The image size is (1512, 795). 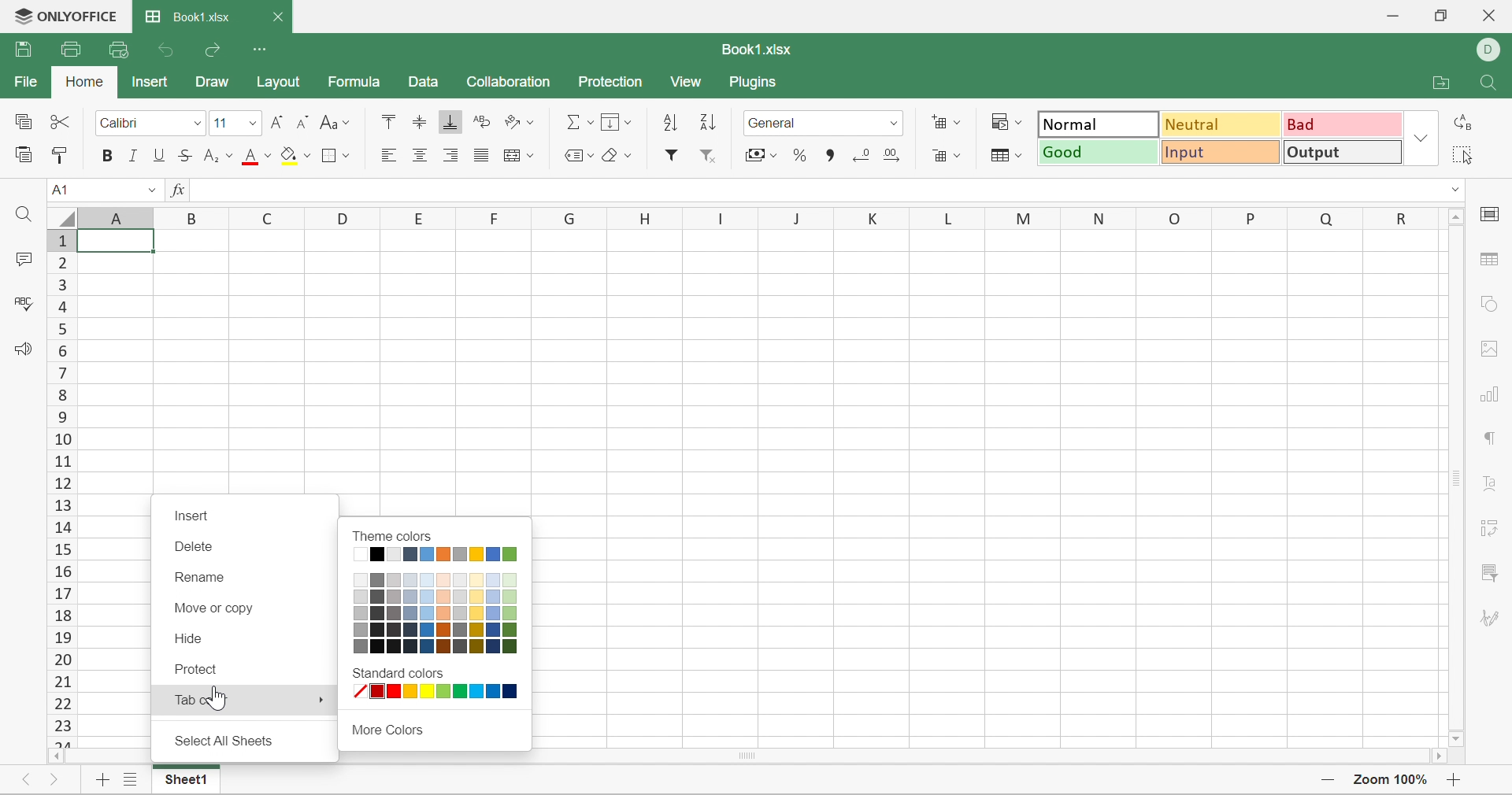 I want to click on Scroll down, so click(x=1456, y=741).